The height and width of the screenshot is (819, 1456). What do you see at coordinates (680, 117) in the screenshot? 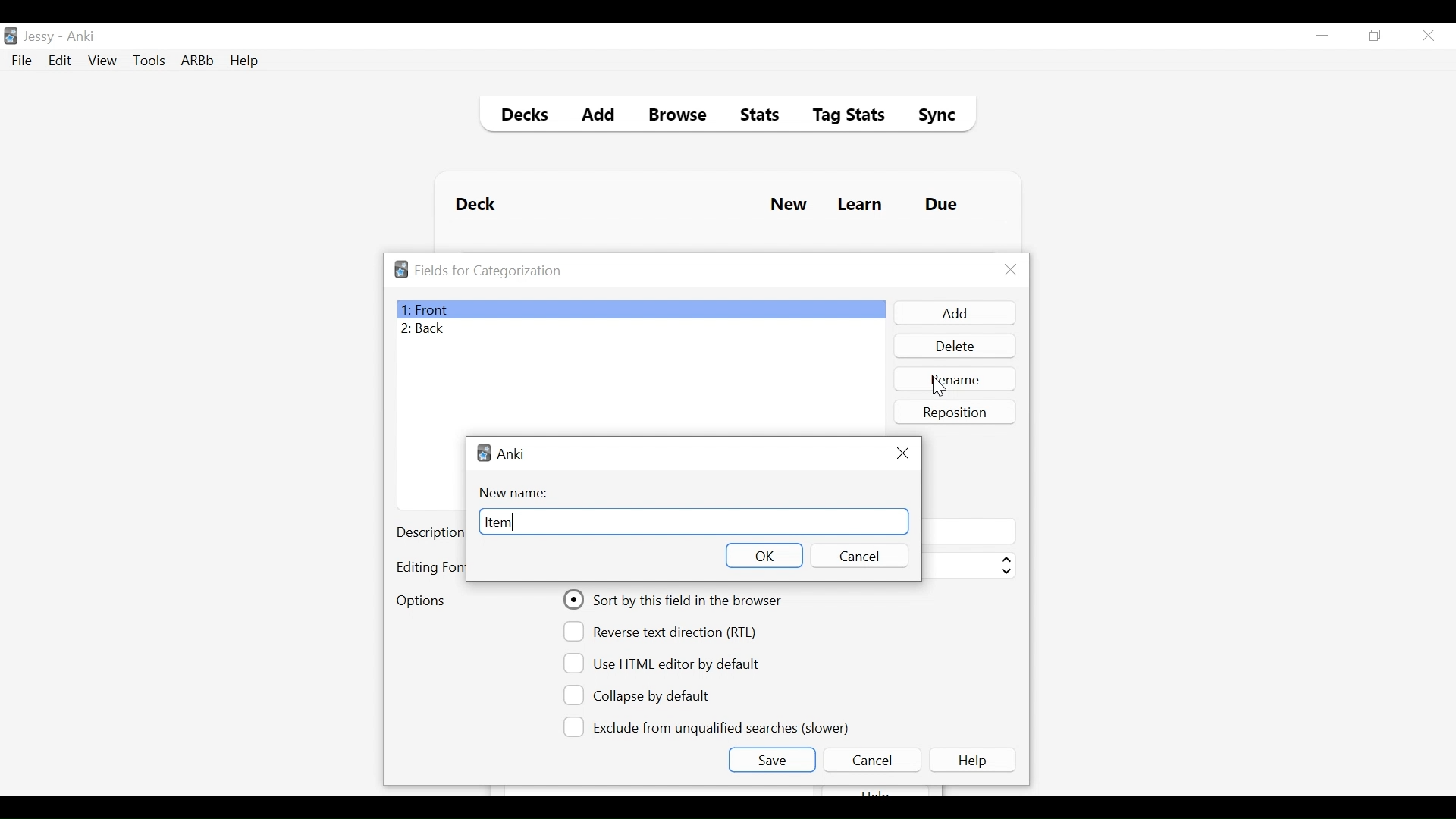
I see `Browse` at bounding box center [680, 117].